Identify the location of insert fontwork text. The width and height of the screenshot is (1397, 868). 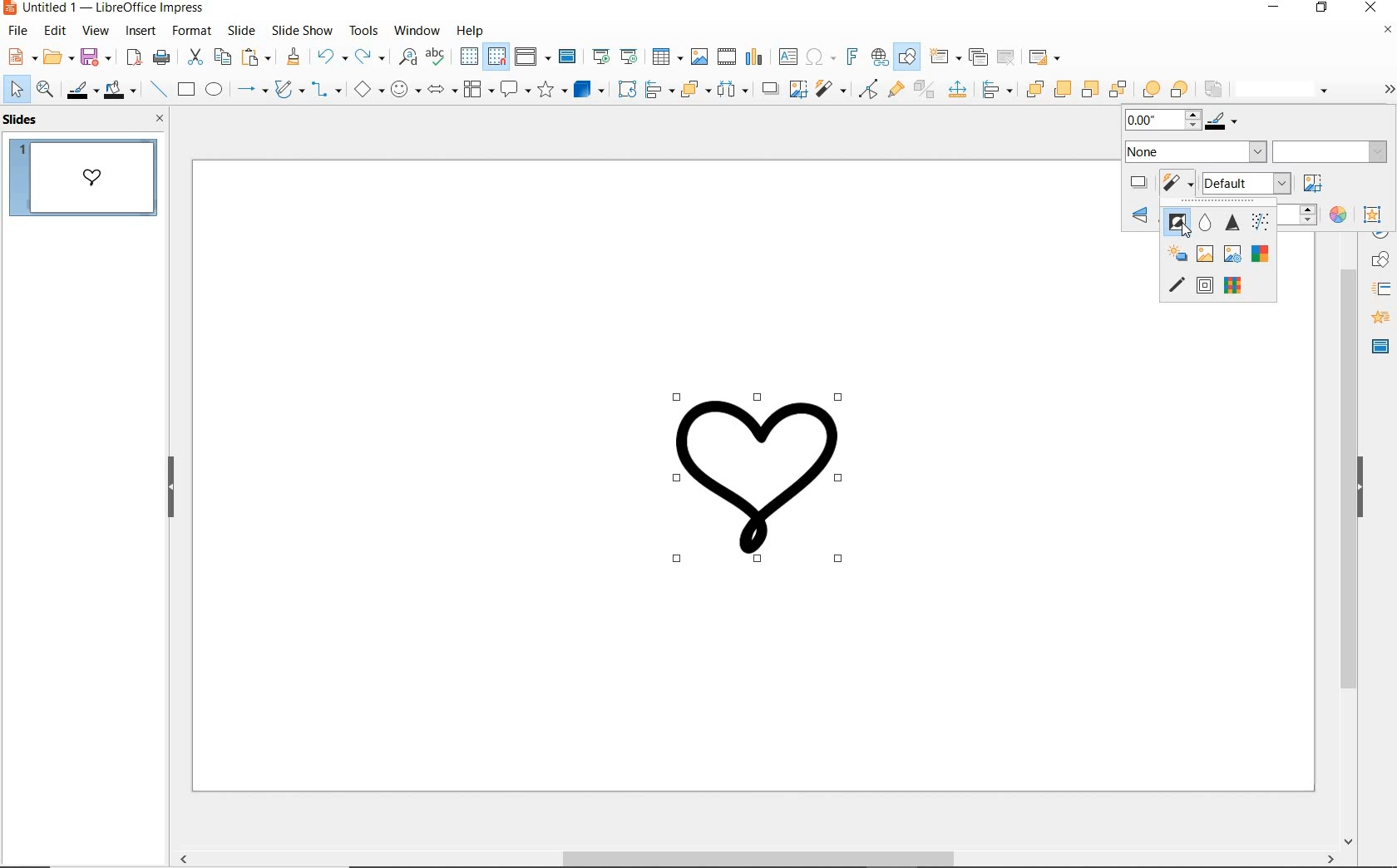
(852, 56).